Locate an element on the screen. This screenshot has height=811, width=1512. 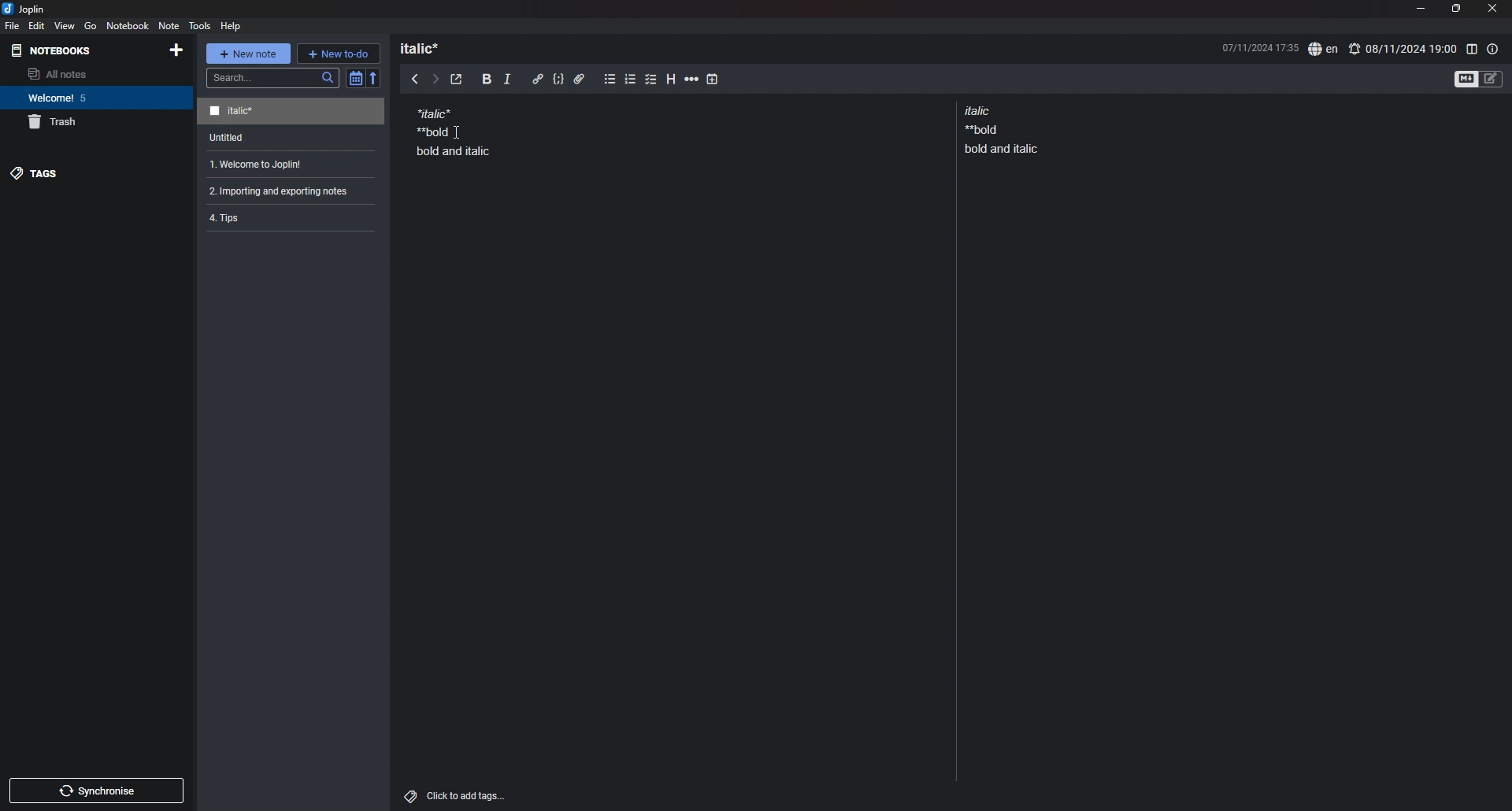
numbered list is located at coordinates (631, 81).